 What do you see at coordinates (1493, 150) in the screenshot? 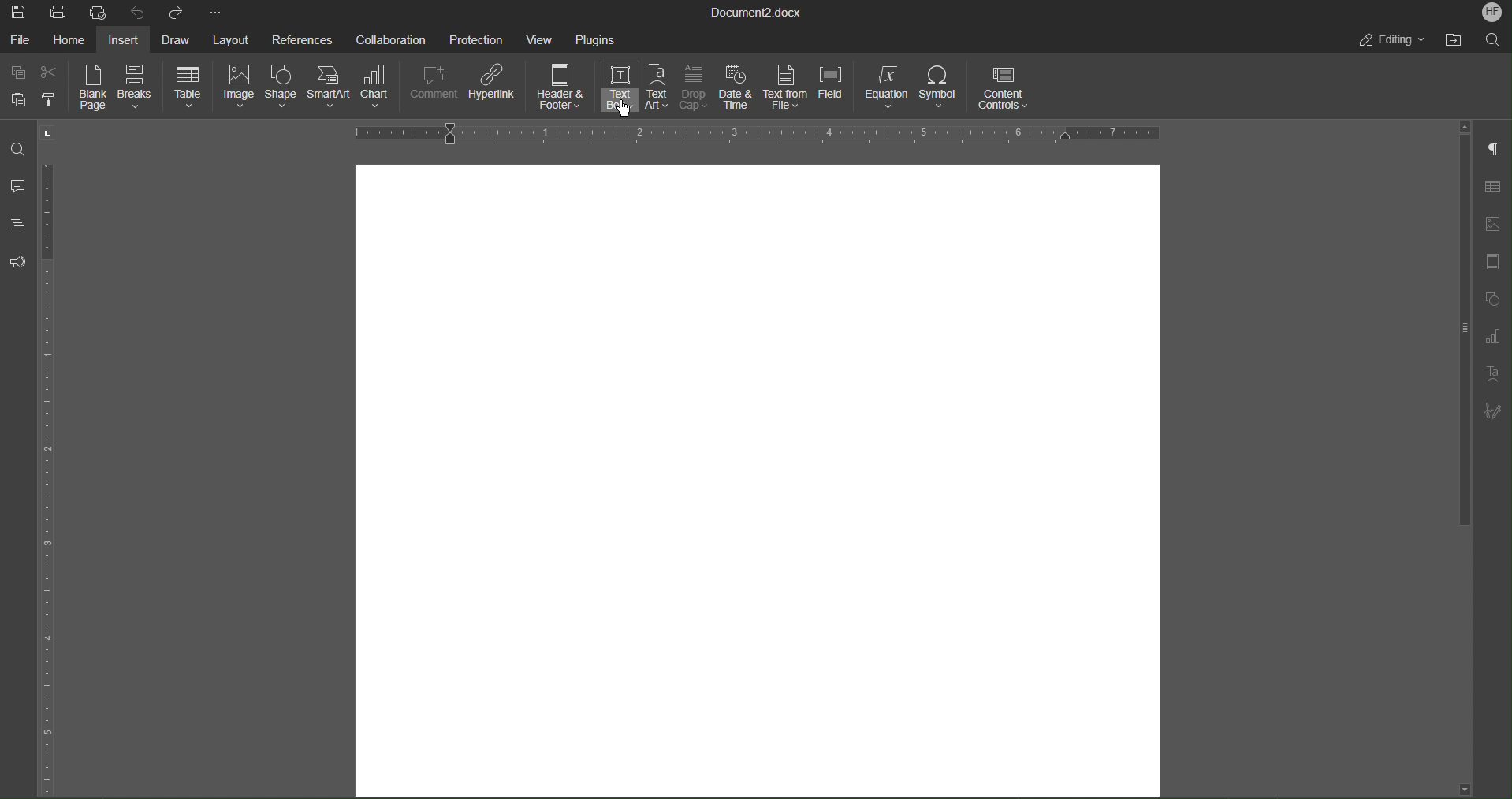
I see `Paragraph Settings` at bounding box center [1493, 150].